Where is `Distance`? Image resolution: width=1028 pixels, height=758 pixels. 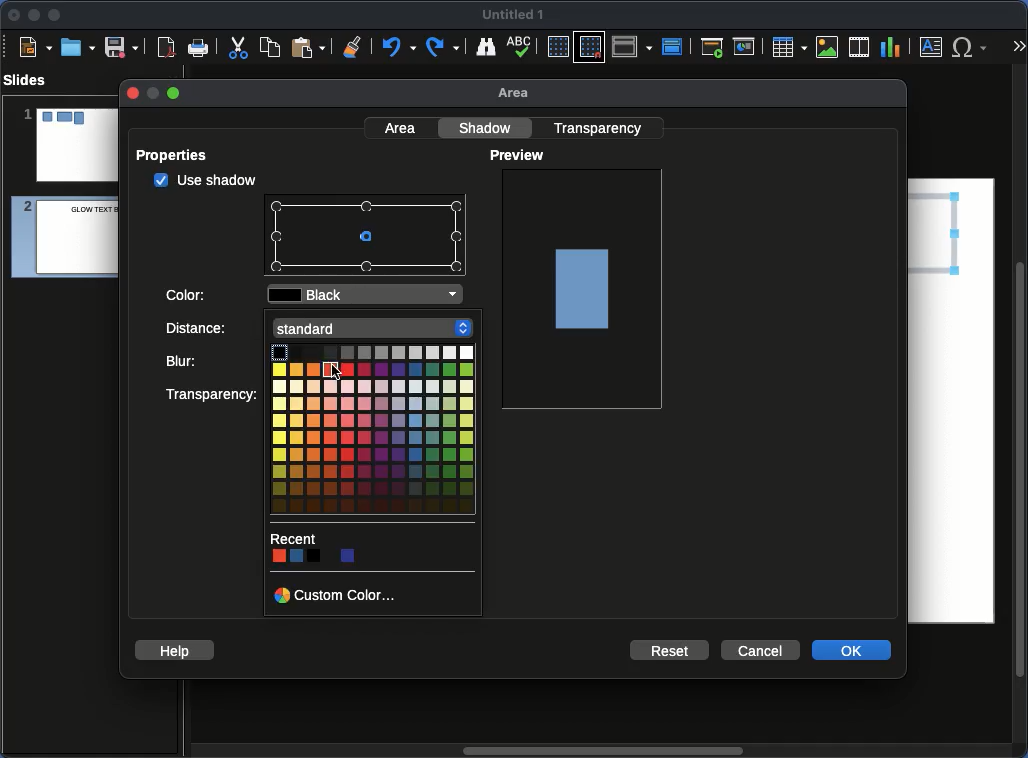 Distance is located at coordinates (215, 331).